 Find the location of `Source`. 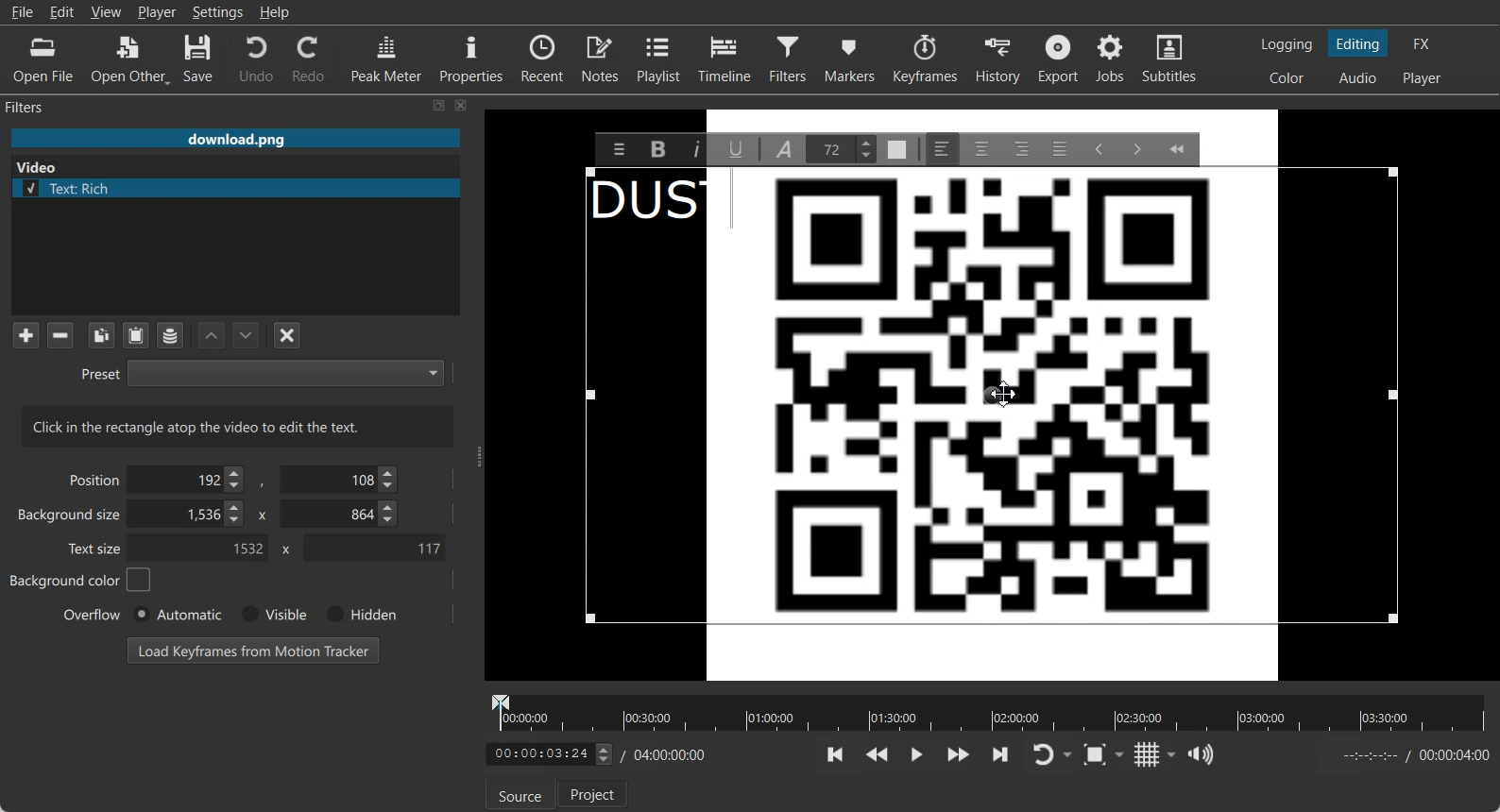

Source is located at coordinates (516, 797).